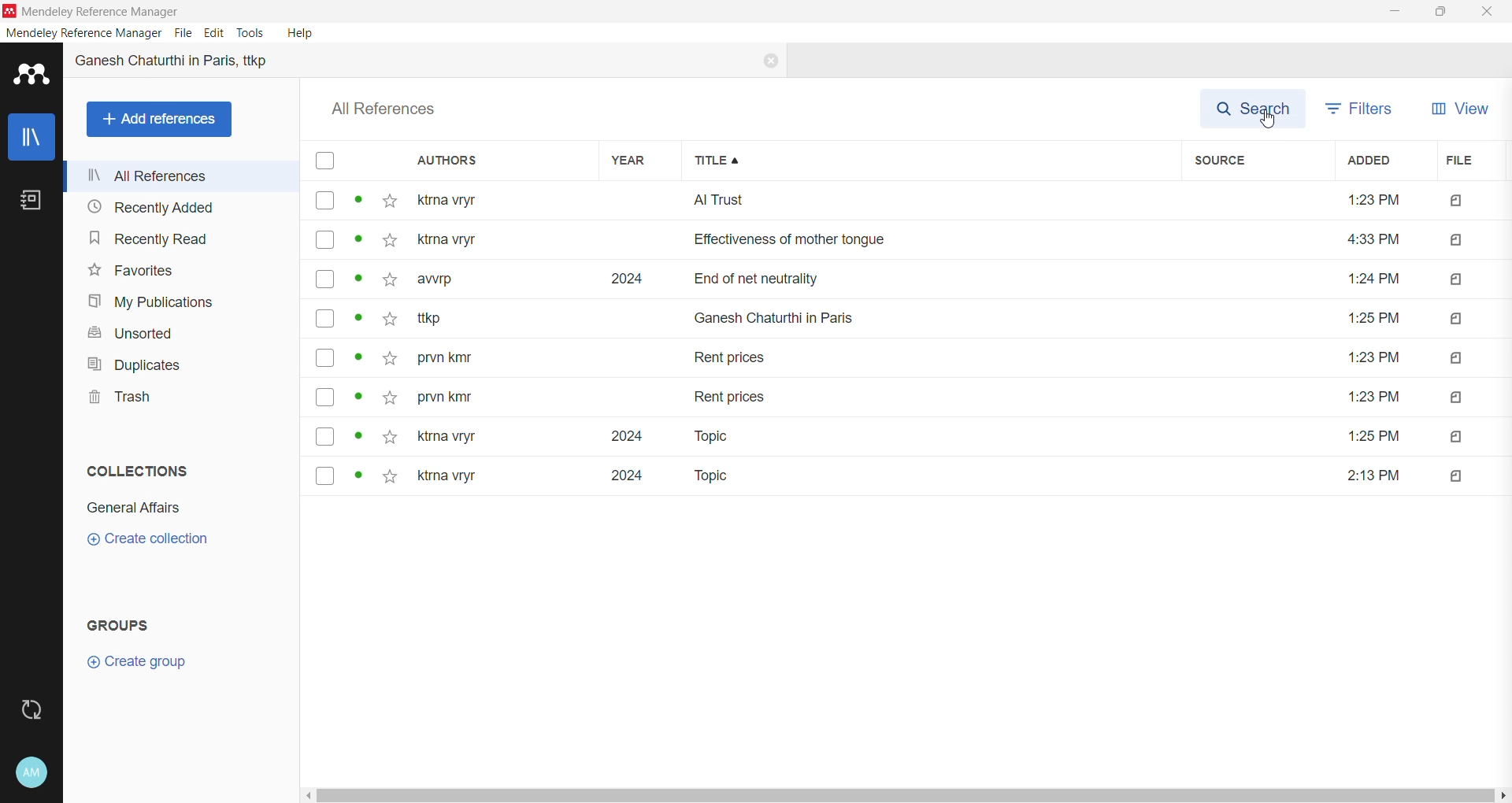 This screenshot has width=1512, height=803. What do you see at coordinates (251, 33) in the screenshot?
I see `Tools` at bounding box center [251, 33].